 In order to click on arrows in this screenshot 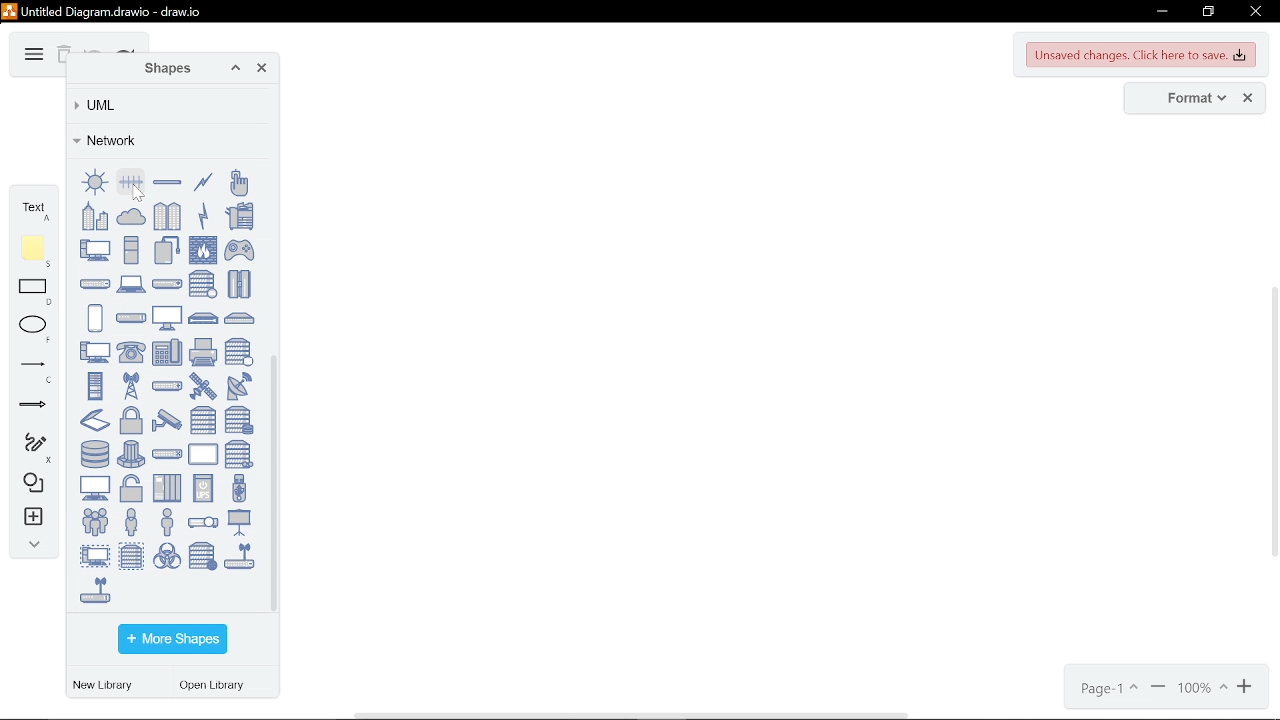, I will do `click(33, 408)`.